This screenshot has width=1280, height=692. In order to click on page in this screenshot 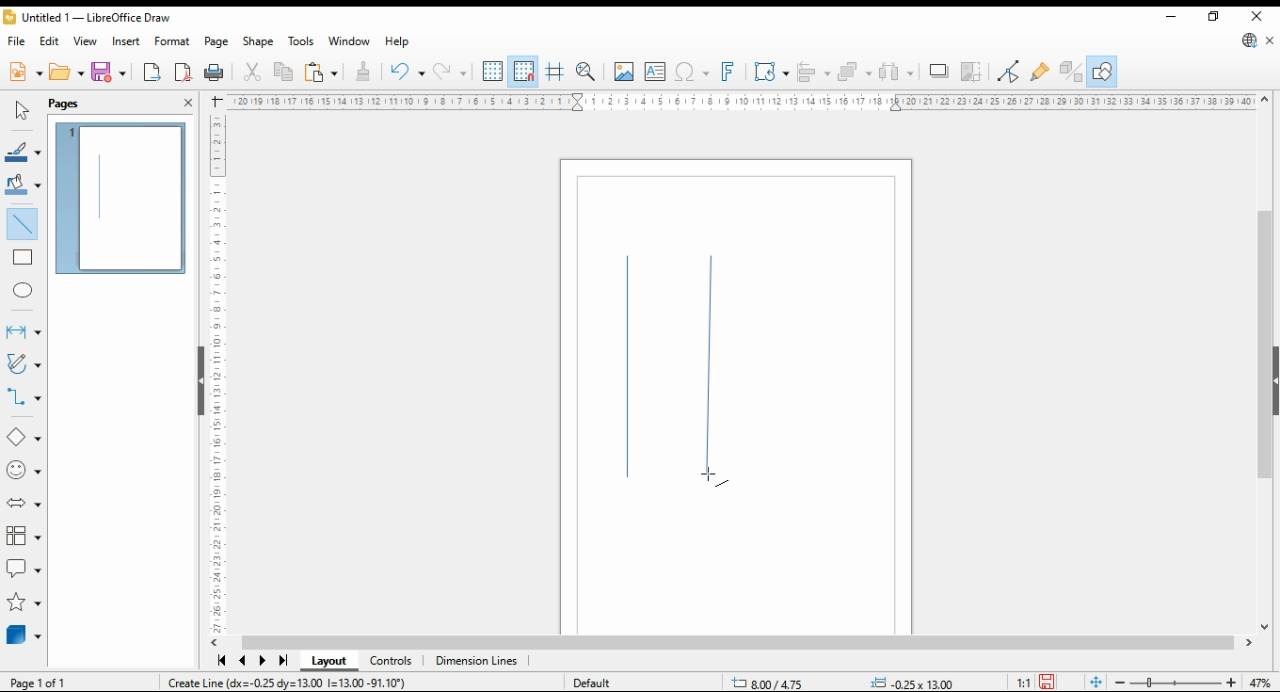, I will do `click(216, 42)`.